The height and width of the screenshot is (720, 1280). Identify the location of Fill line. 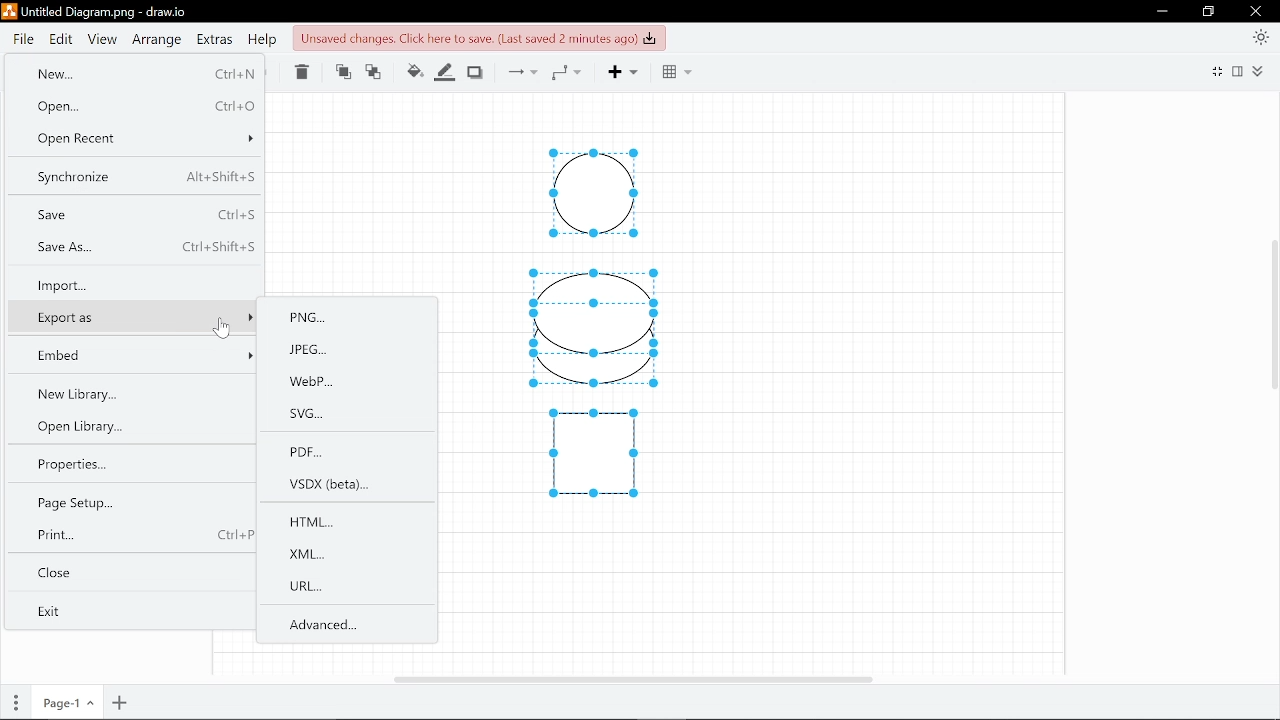
(445, 72).